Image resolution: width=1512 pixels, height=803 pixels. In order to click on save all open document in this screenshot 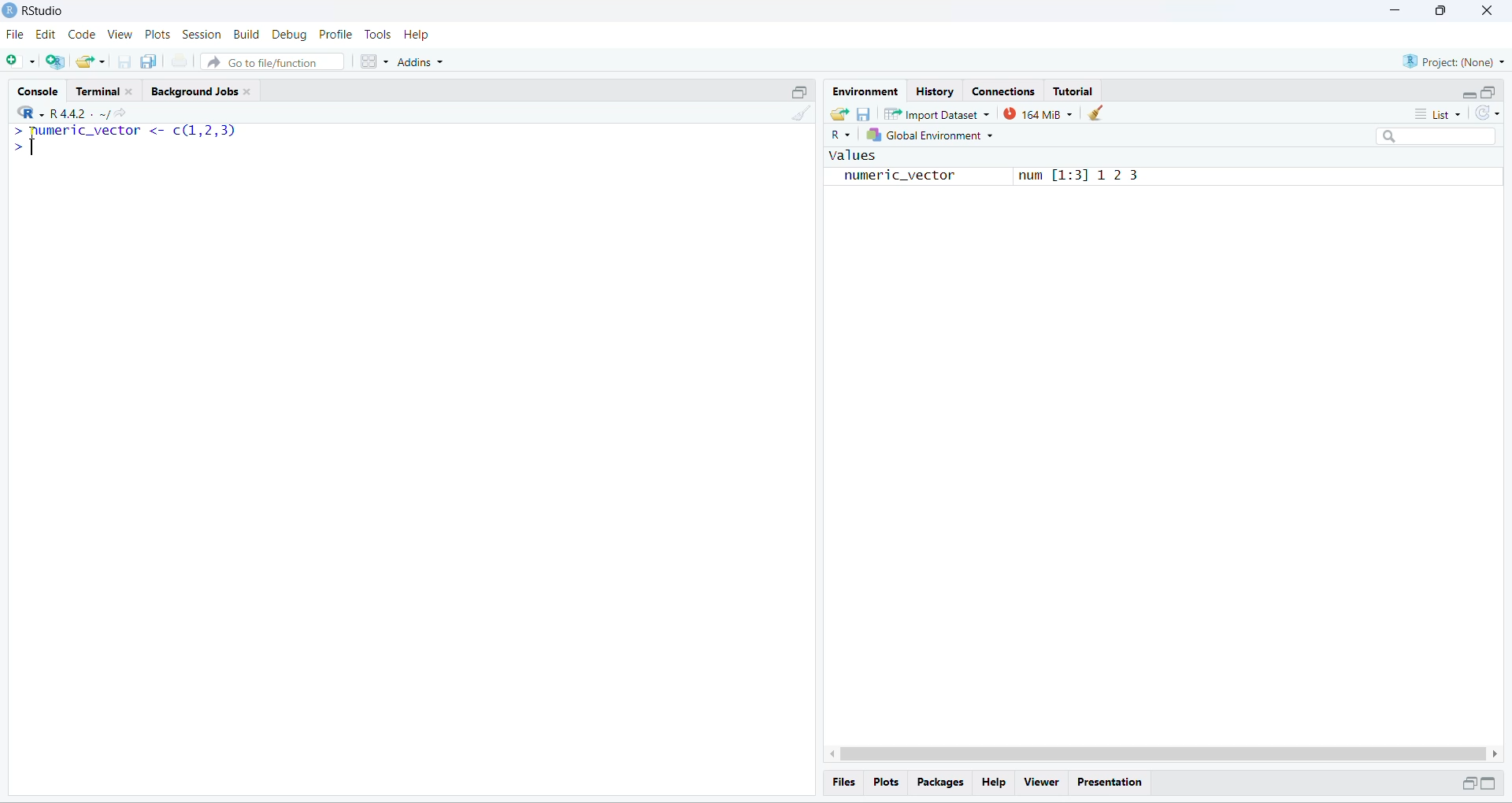, I will do `click(150, 61)`.